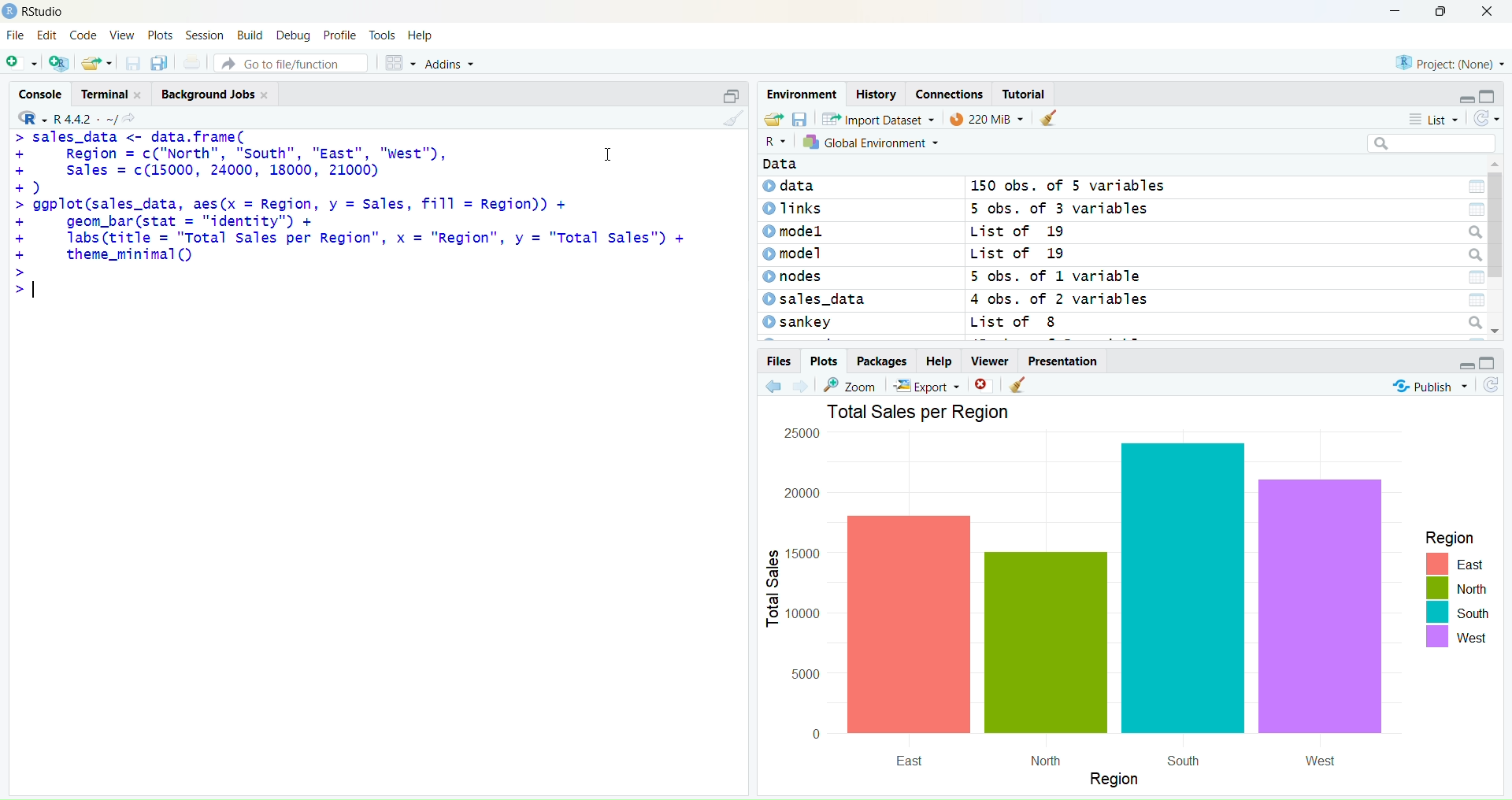 This screenshot has width=1512, height=800. Describe the element at coordinates (821, 165) in the screenshot. I see `- Data` at that location.